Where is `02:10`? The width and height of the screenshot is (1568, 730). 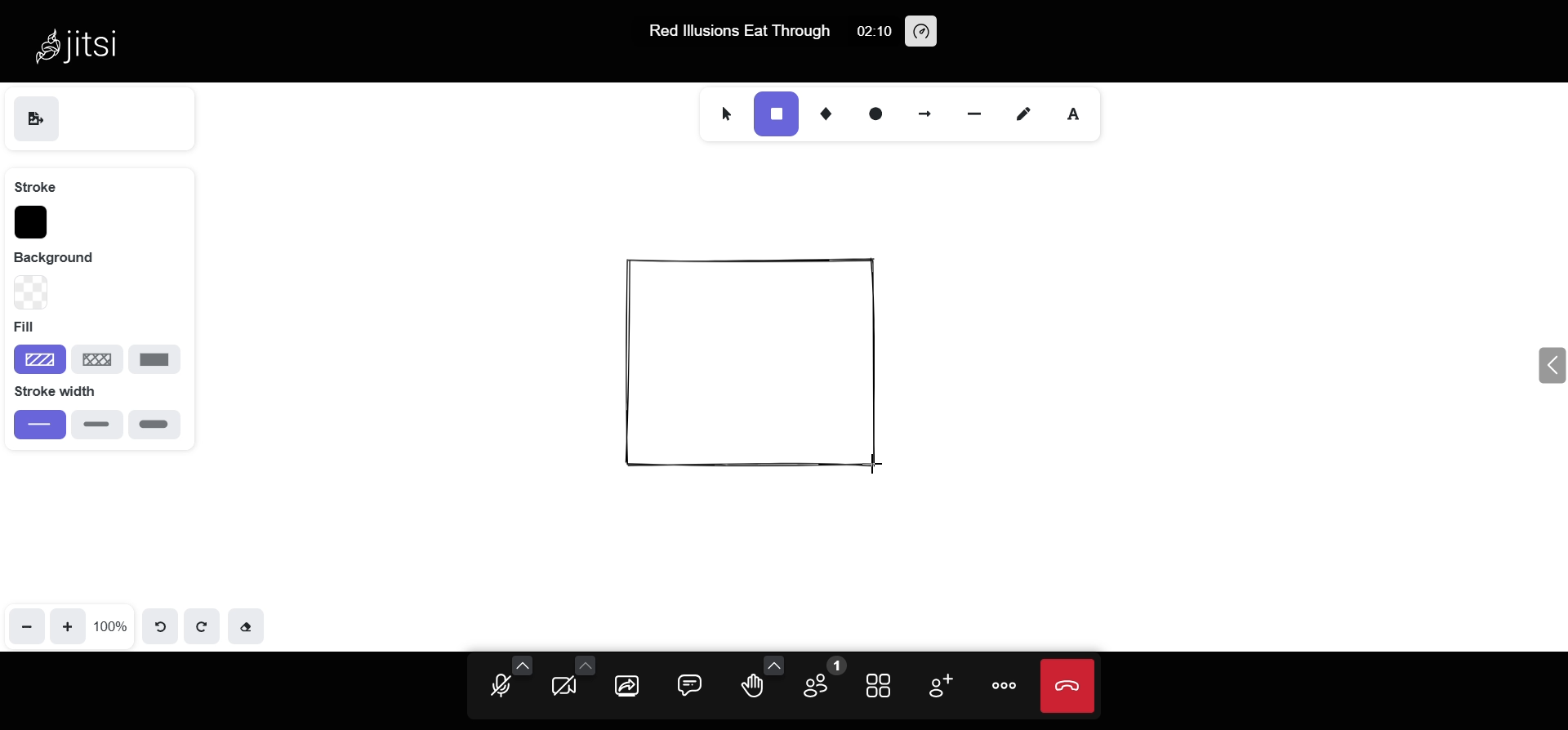
02:10 is located at coordinates (872, 29).